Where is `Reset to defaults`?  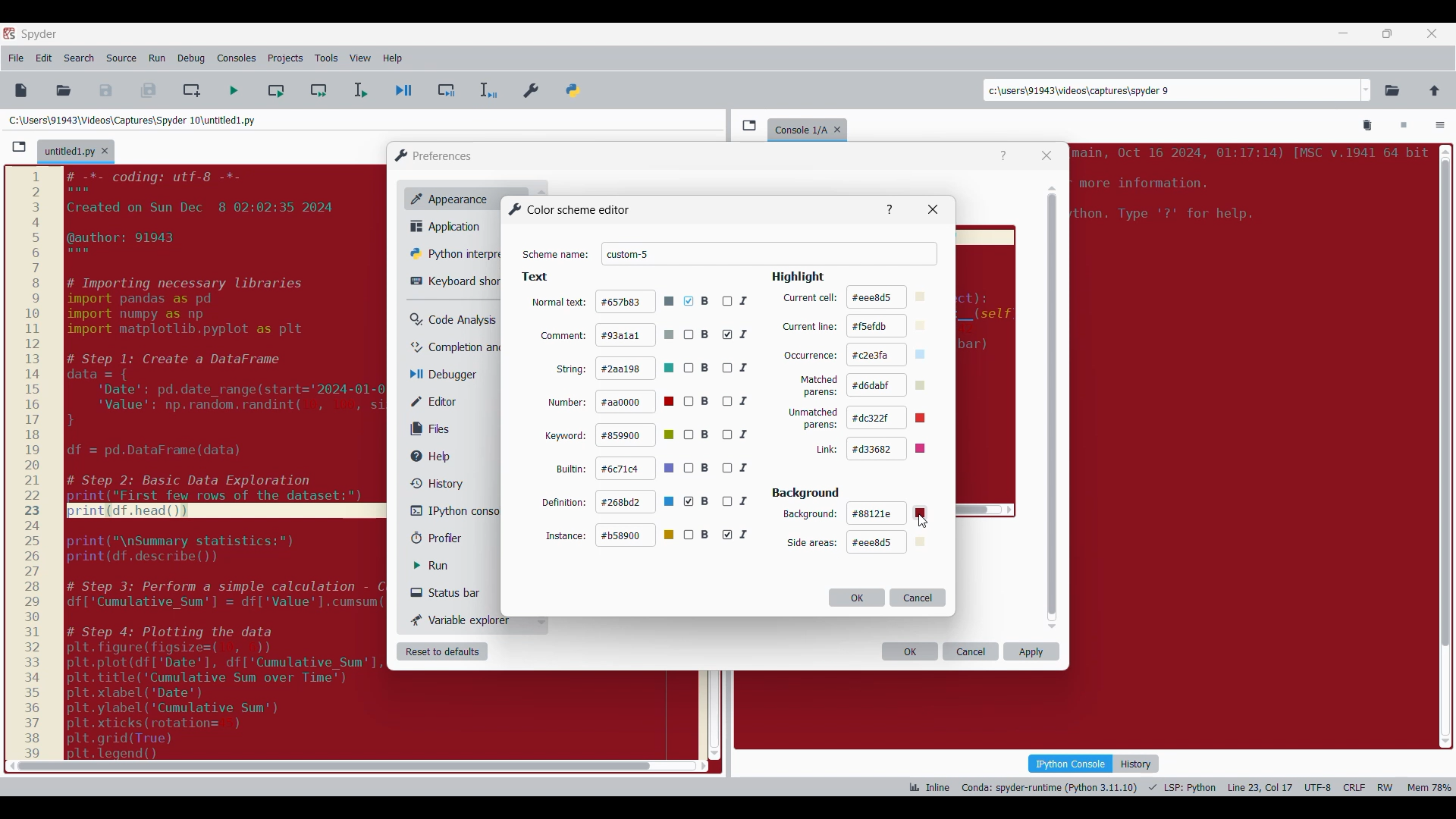
Reset to defaults is located at coordinates (442, 651).